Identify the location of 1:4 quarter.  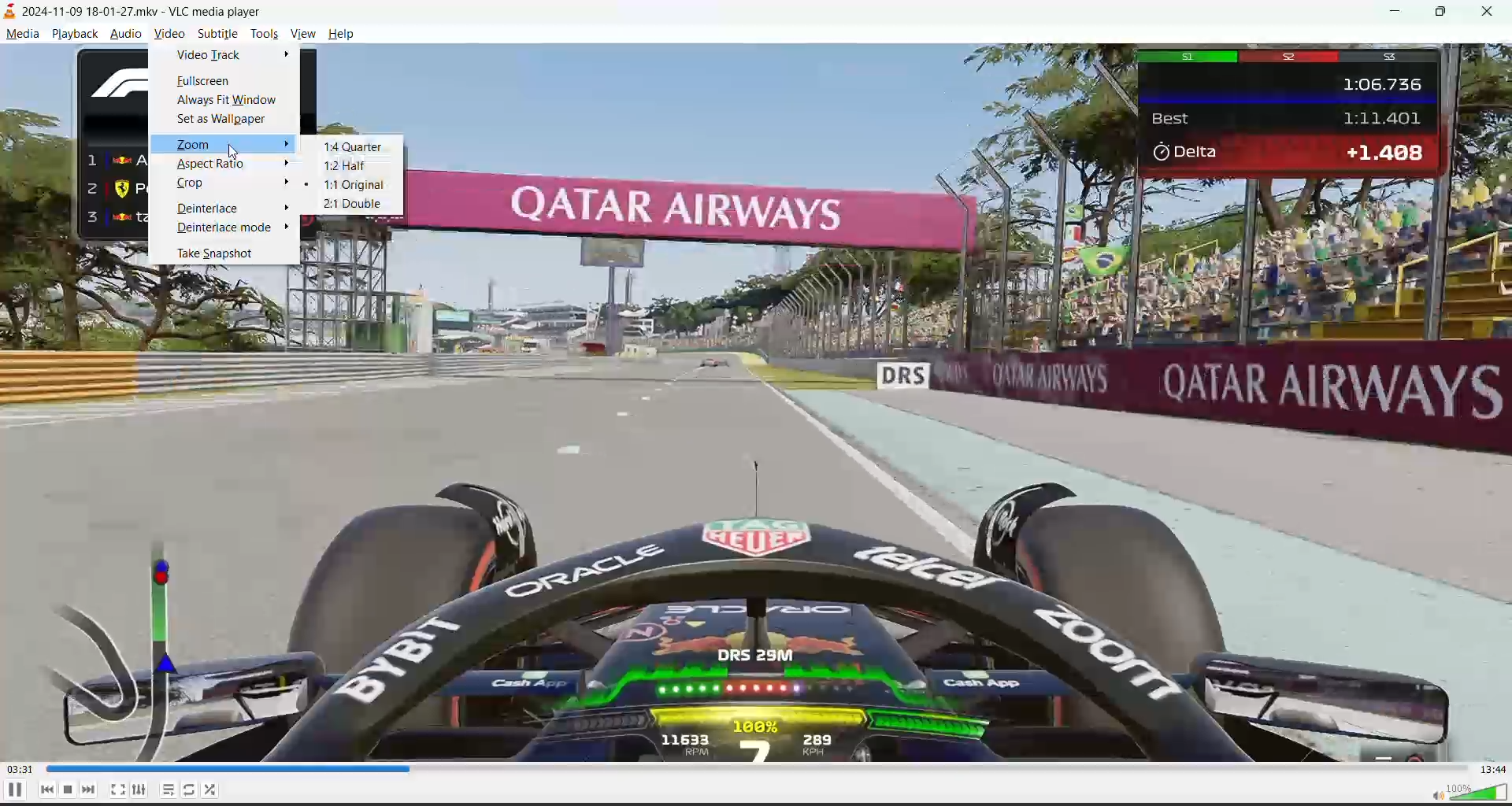
(350, 144).